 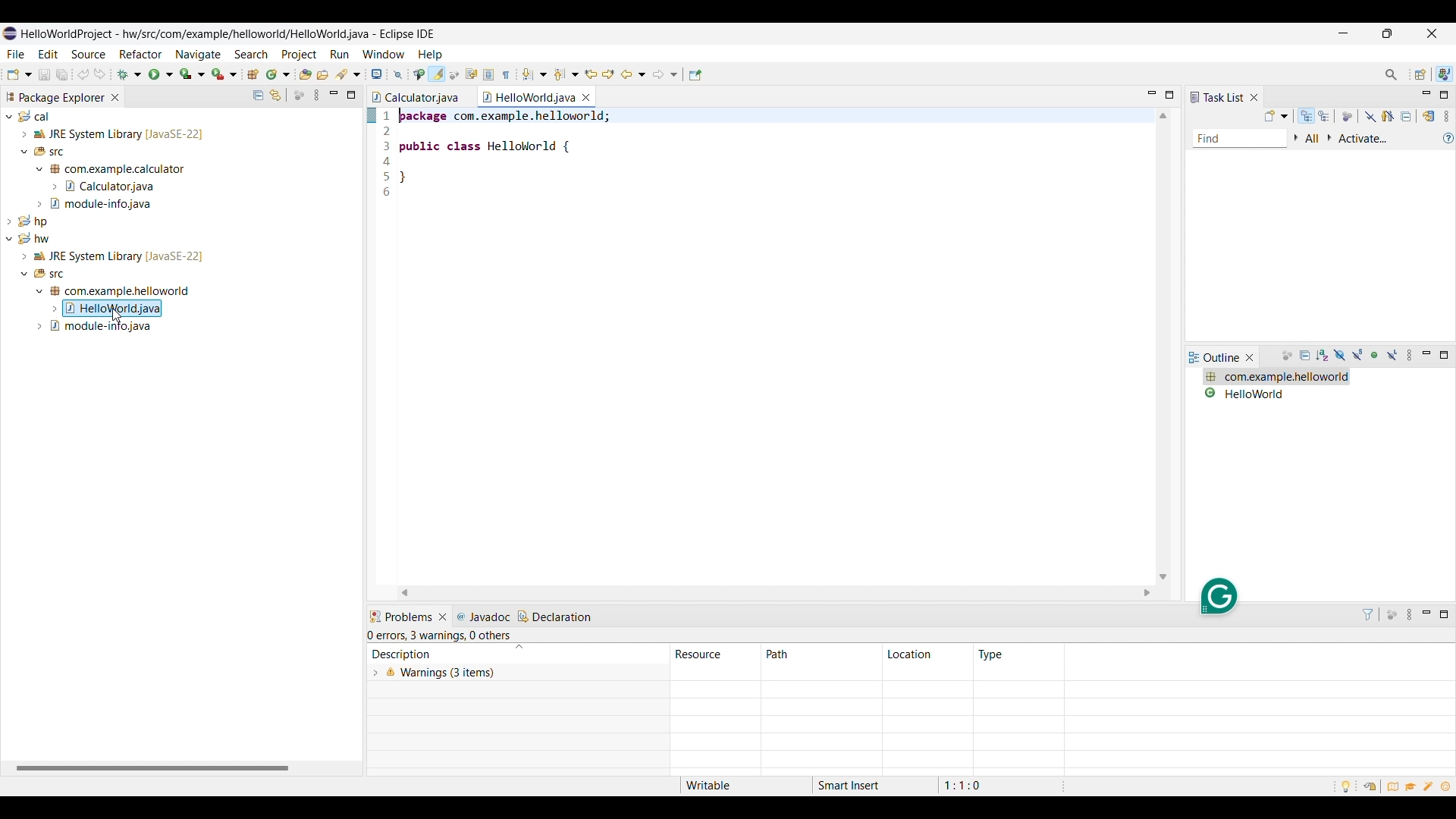 What do you see at coordinates (371, 115) in the screenshot?
I see `Indicates current set selected` at bounding box center [371, 115].